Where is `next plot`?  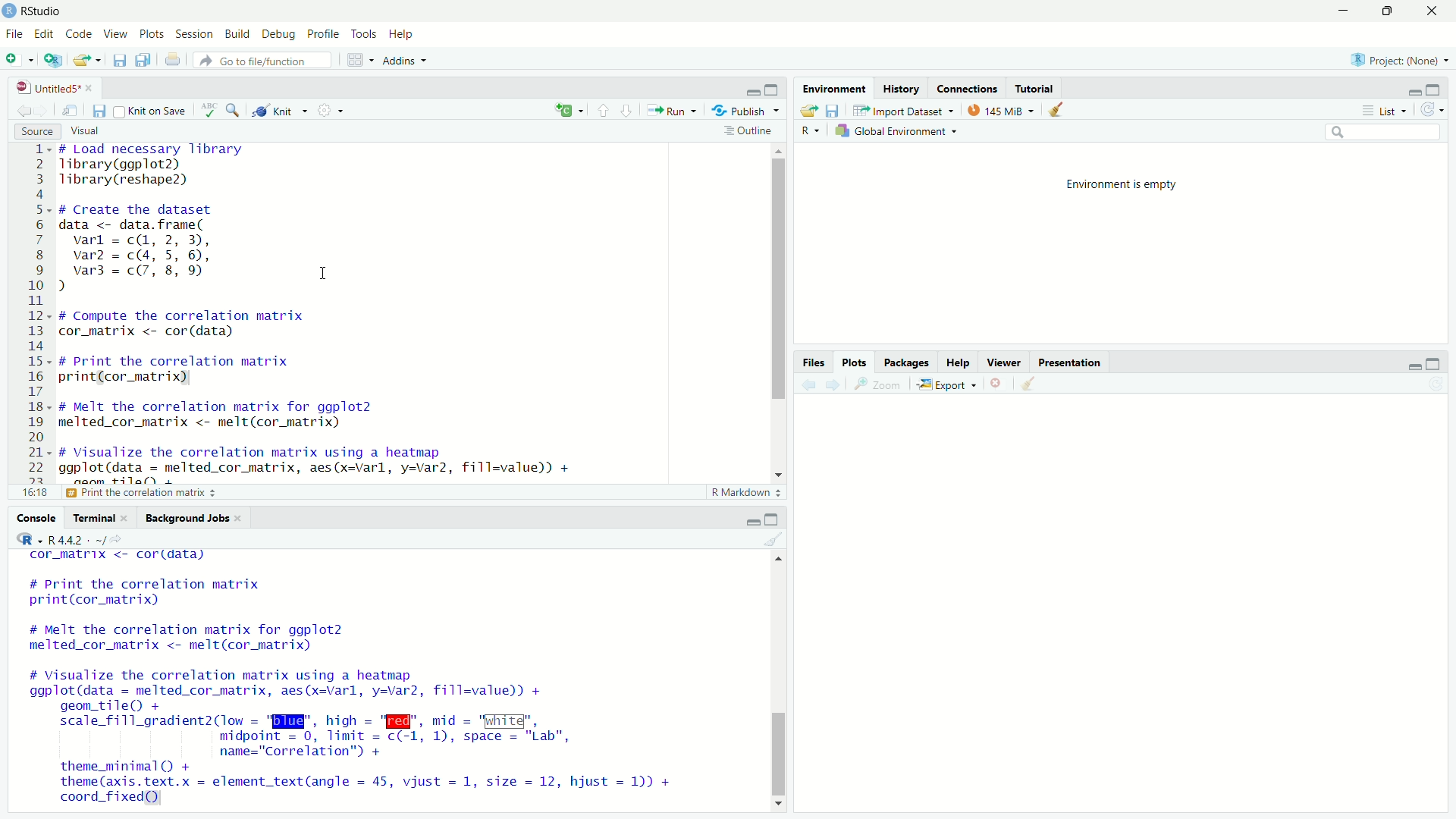 next plot is located at coordinates (833, 384).